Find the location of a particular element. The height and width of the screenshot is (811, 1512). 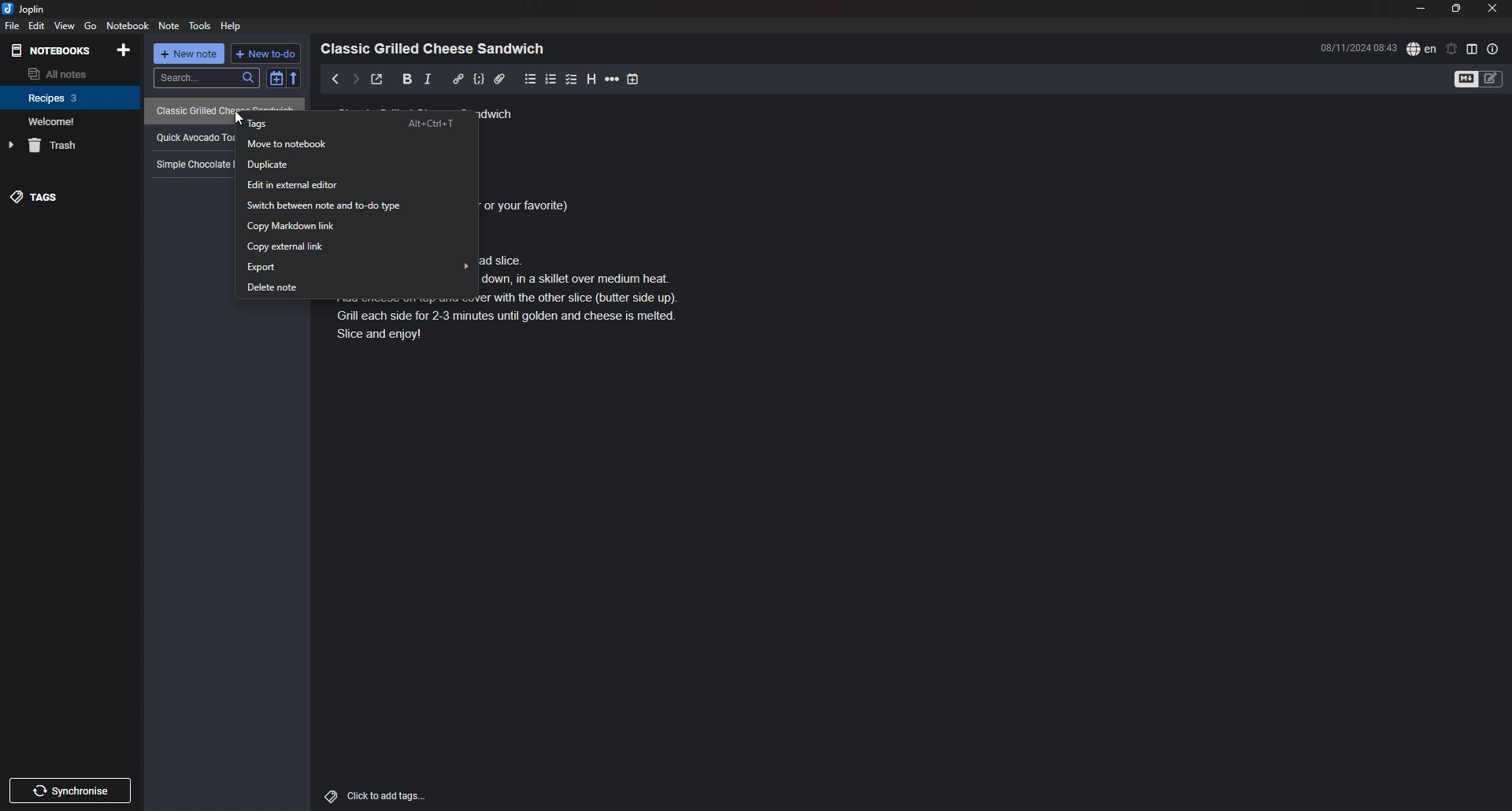

spell check is located at coordinates (1421, 48).